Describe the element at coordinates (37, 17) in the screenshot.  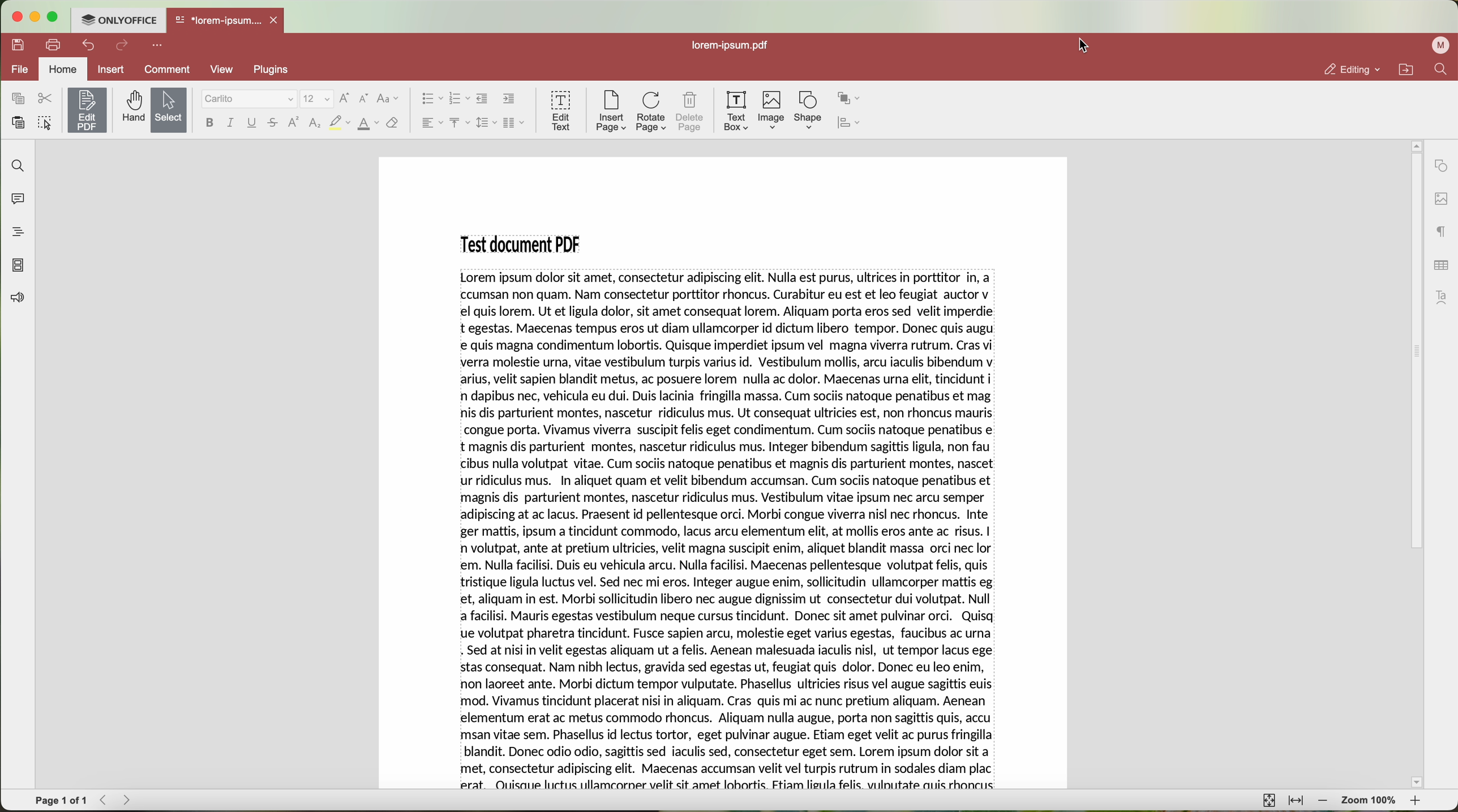
I see `minimize` at that location.